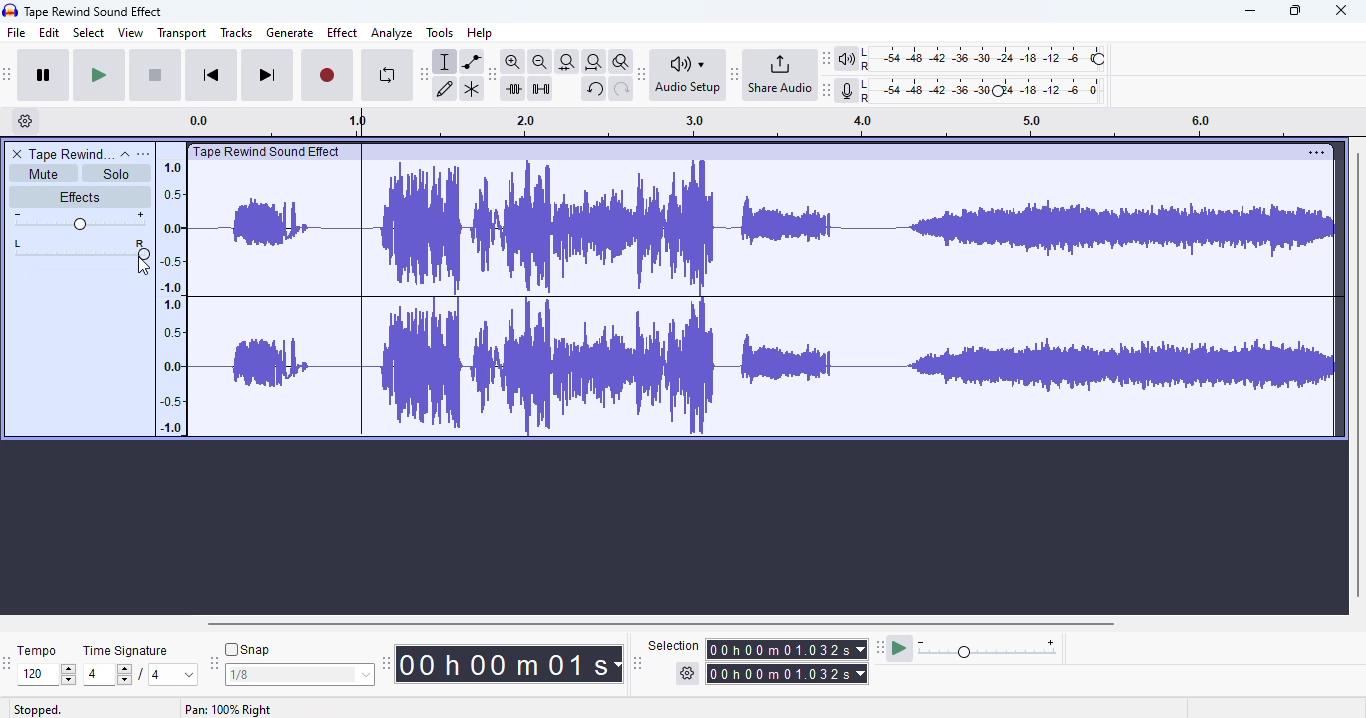 Image resolution: width=1366 pixels, height=718 pixels. What do you see at coordinates (766, 300) in the screenshot?
I see `audio selected` at bounding box center [766, 300].